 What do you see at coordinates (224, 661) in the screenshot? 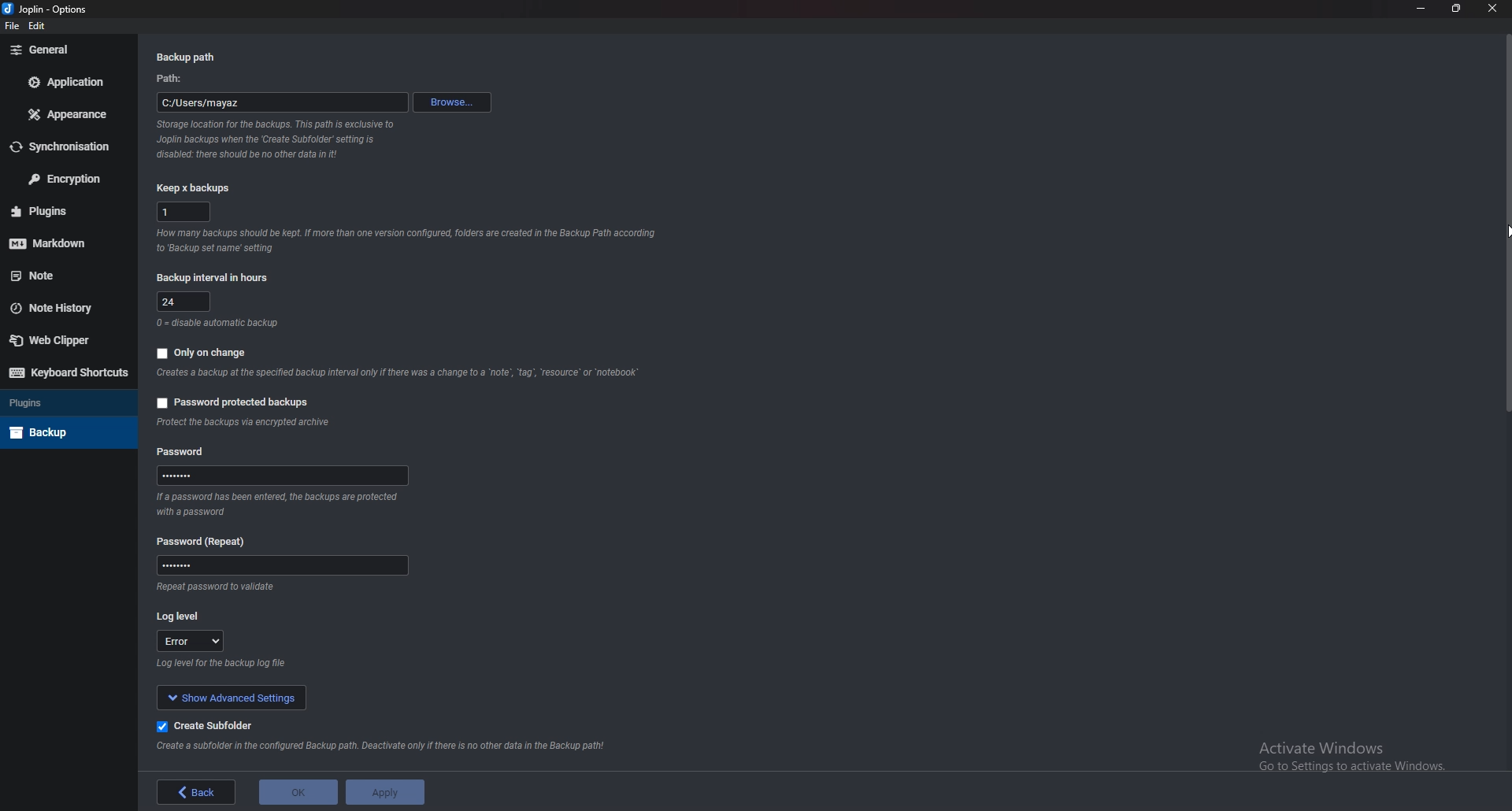
I see `Info` at bounding box center [224, 661].